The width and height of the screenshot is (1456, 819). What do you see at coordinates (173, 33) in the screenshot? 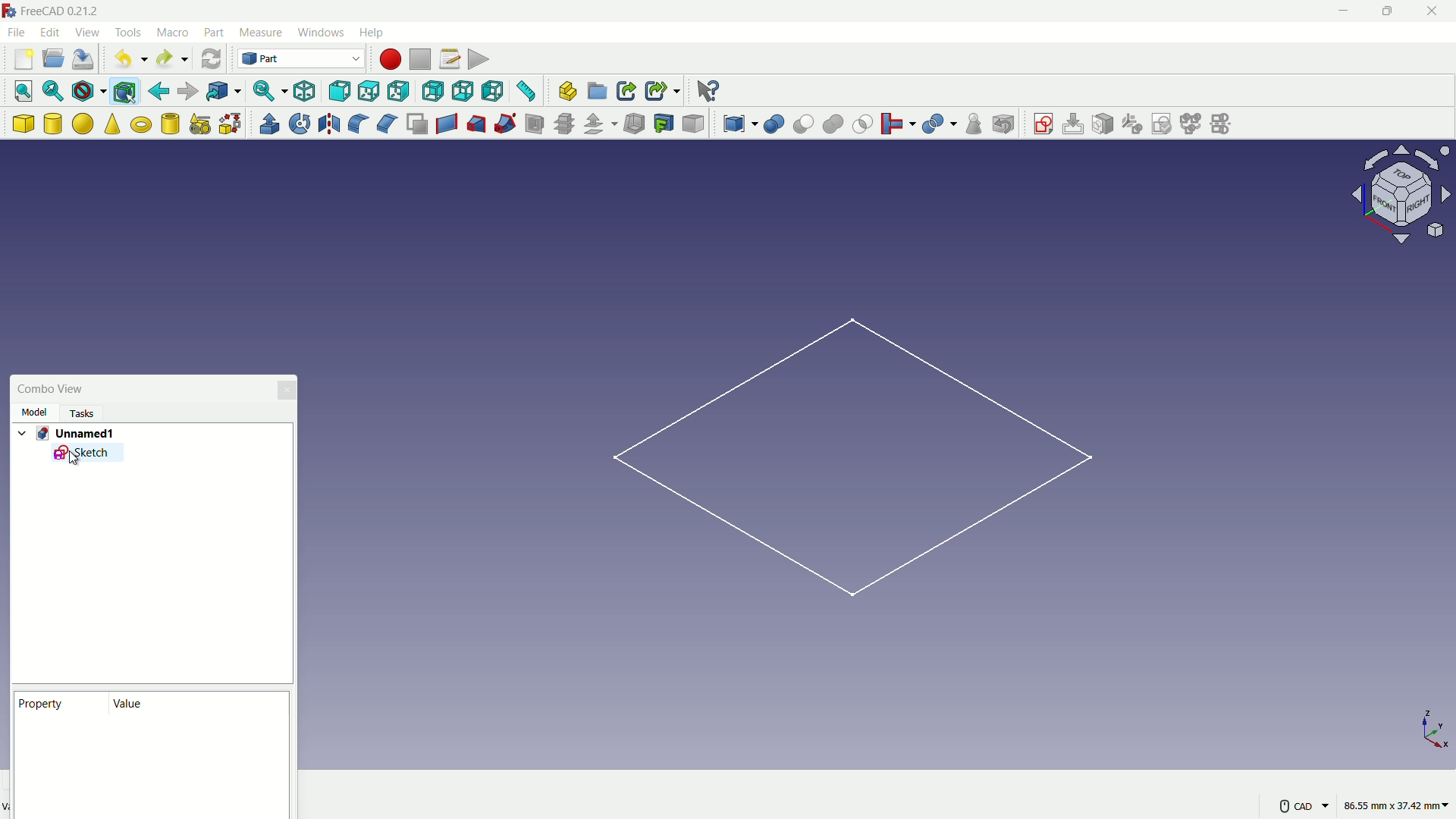
I see `macro` at bounding box center [173, 33].